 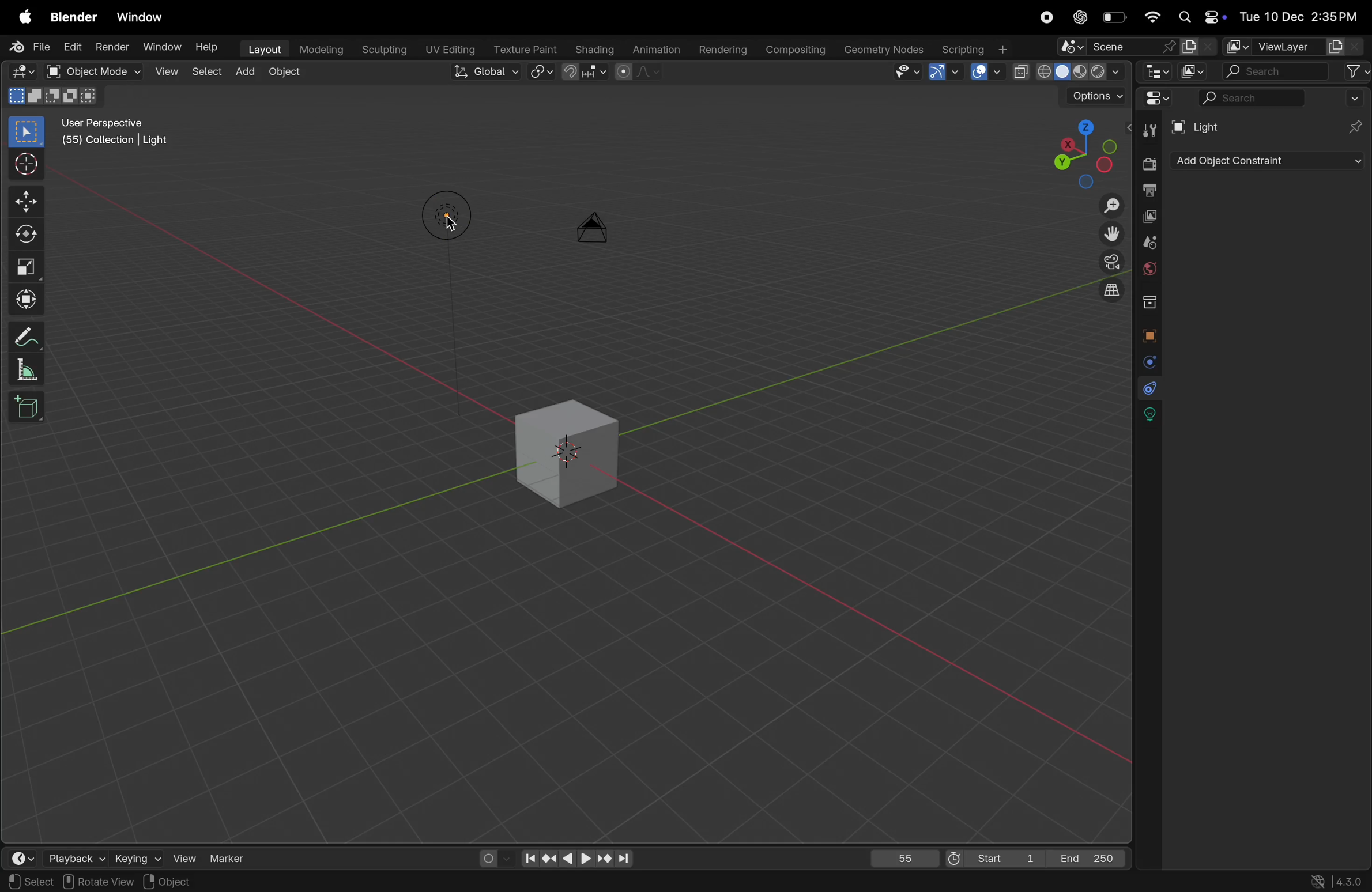 I want to click on annotate, so click(x=29, y=335).